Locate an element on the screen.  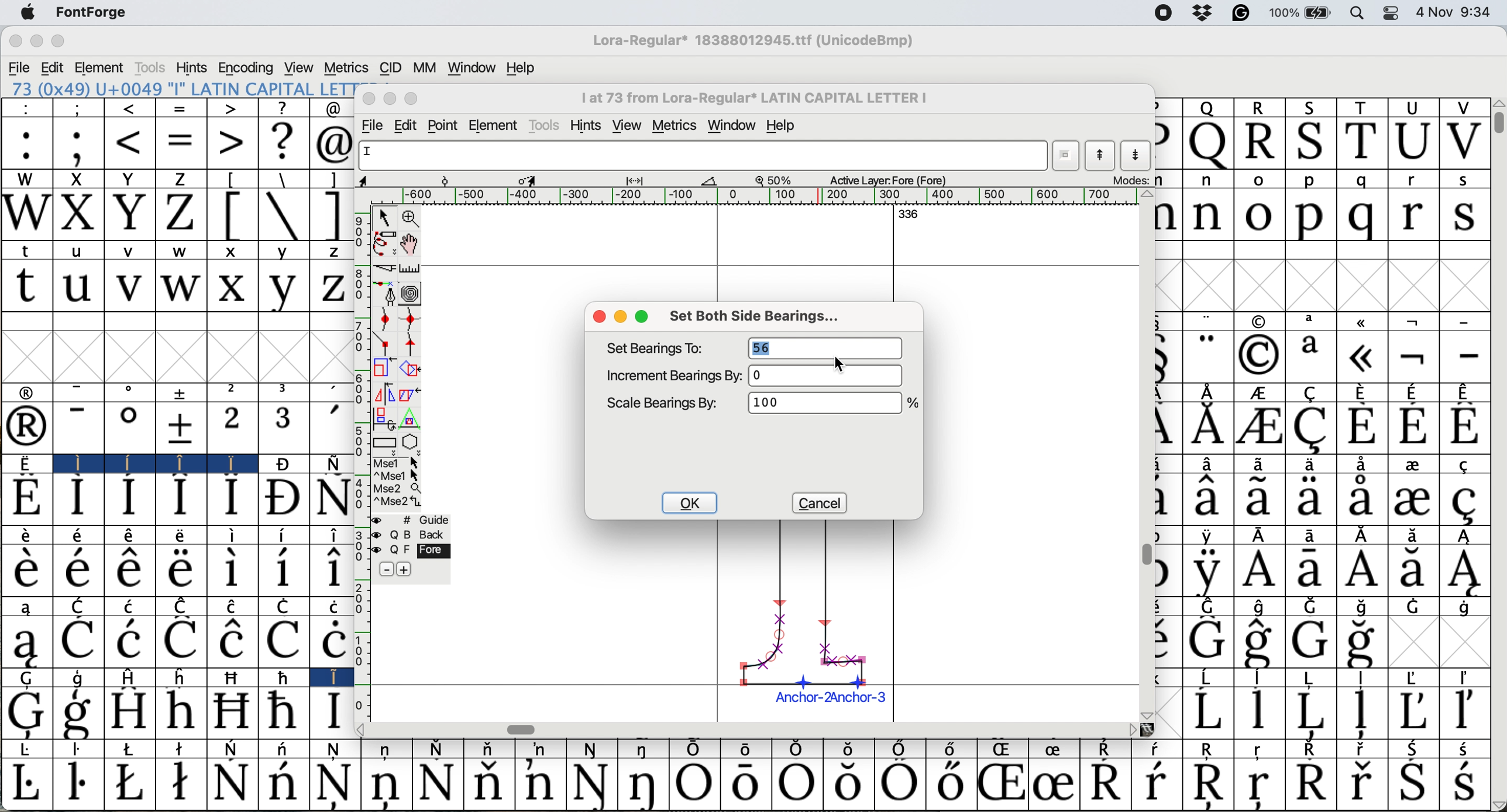
scale the selection is located at coordinates (380, 368).